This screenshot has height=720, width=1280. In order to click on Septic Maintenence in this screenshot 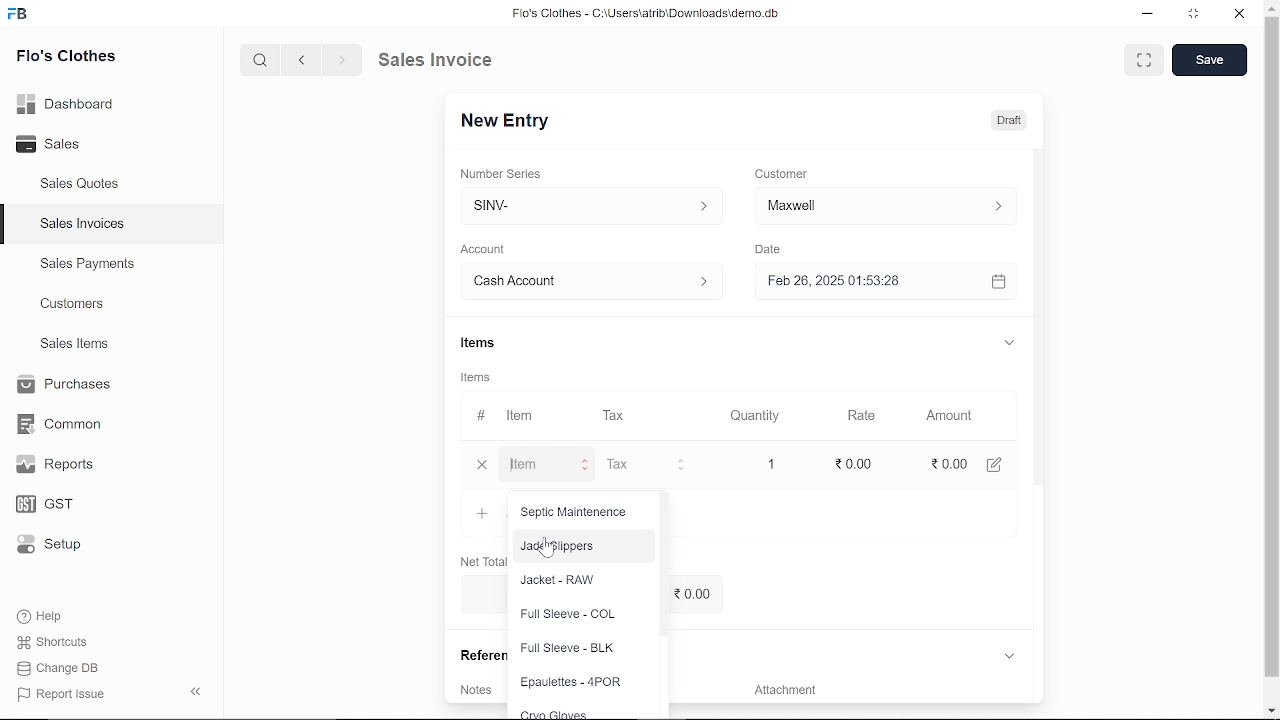, I will do `click(581, 515)`.